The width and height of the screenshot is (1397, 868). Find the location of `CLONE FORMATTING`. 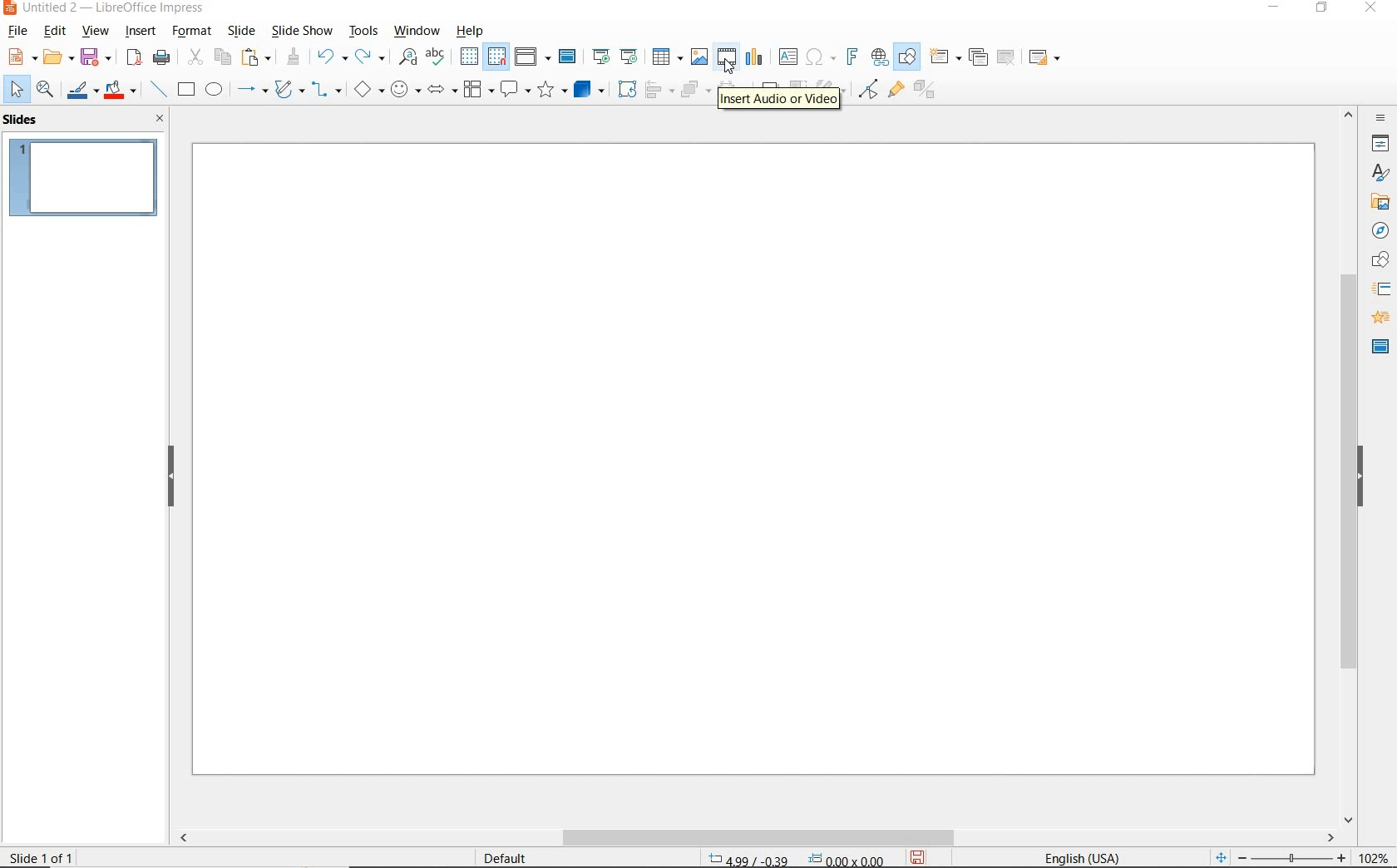

CLONE FORMATTING is located at coordinates (293, 59).